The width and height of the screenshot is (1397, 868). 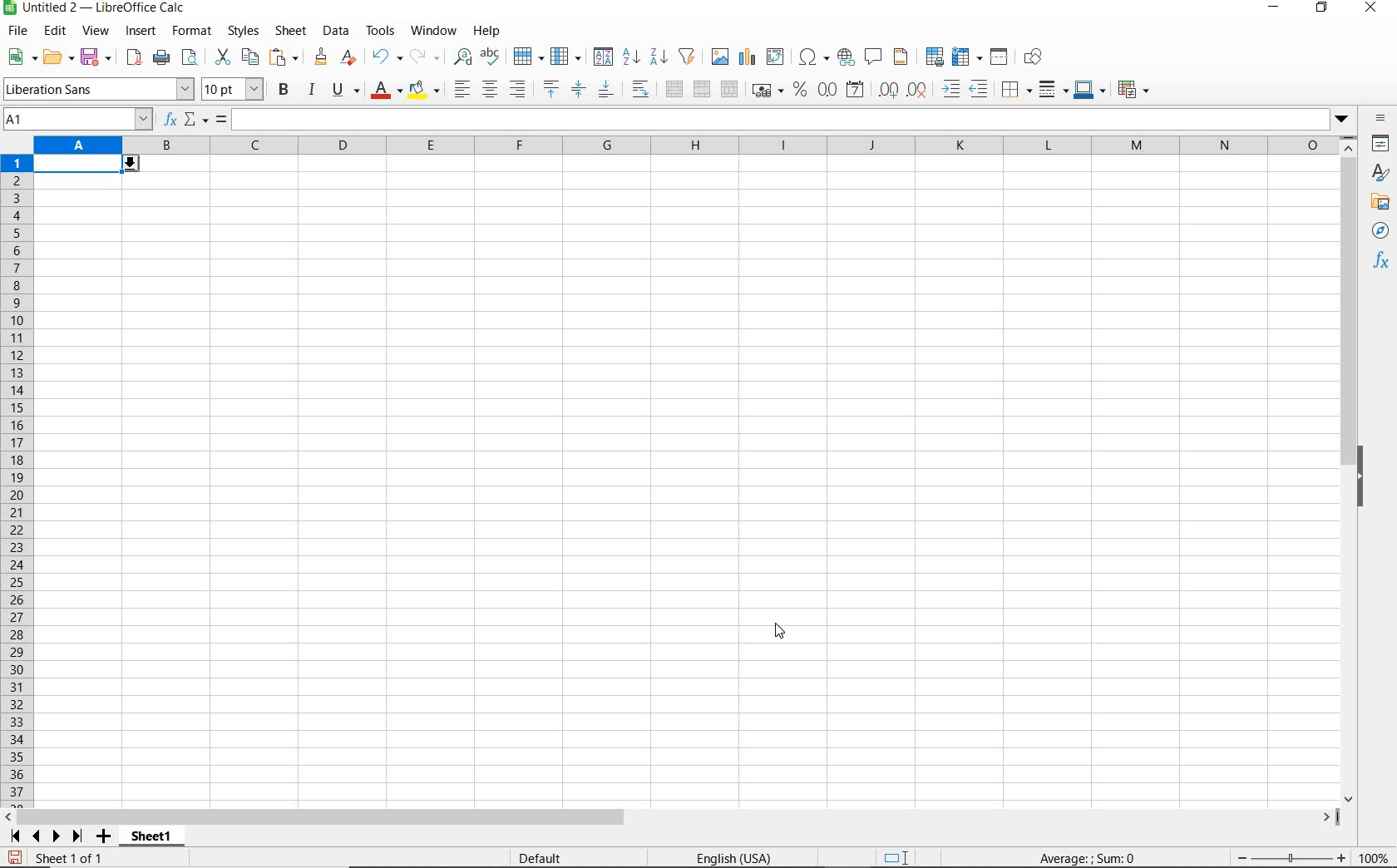 I want to click on export as pdf, so click(x=133, y=57).